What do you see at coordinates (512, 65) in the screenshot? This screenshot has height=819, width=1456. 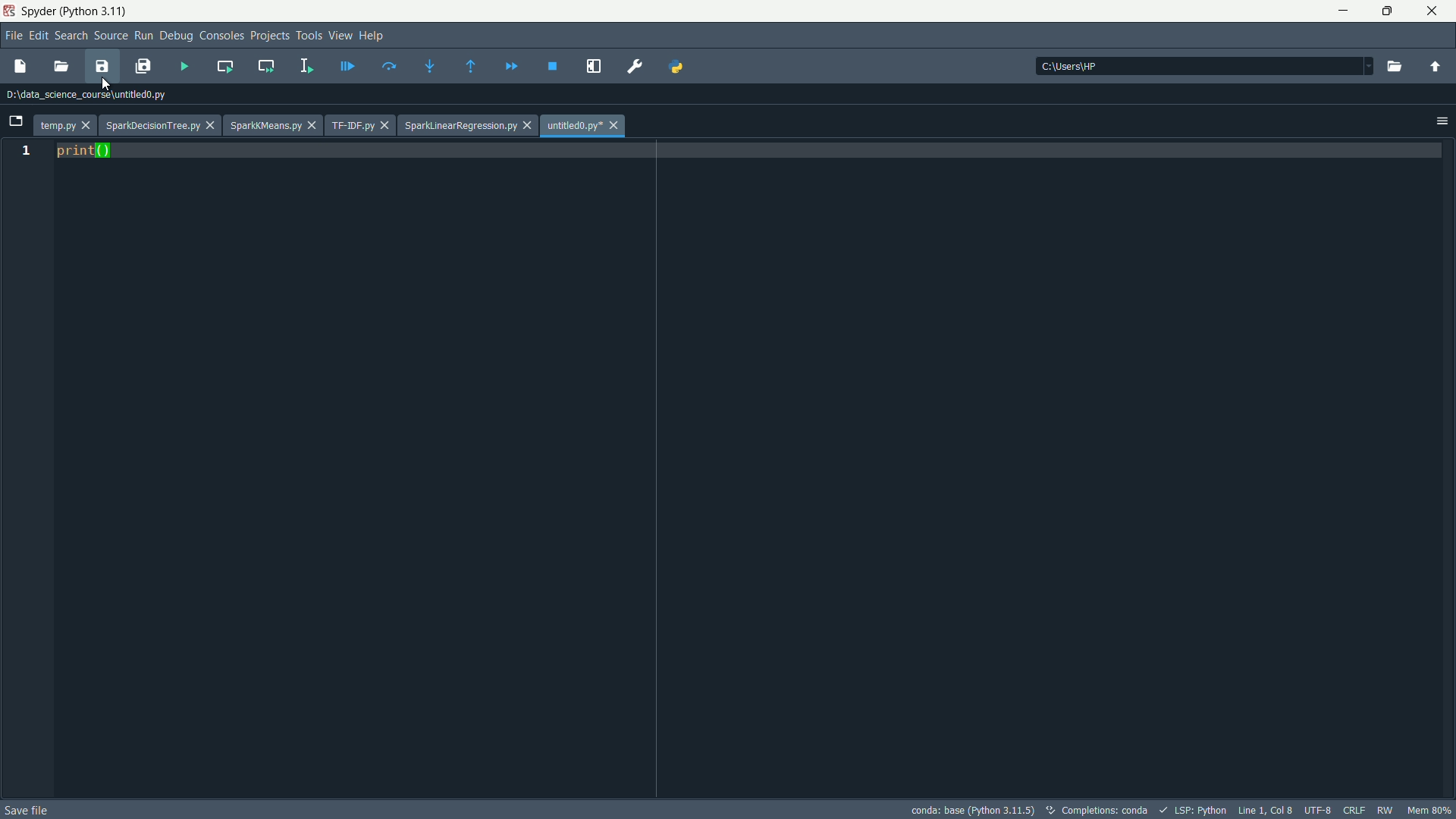 I see `continue execution until next breakdown` at bounding box center [512, 65].